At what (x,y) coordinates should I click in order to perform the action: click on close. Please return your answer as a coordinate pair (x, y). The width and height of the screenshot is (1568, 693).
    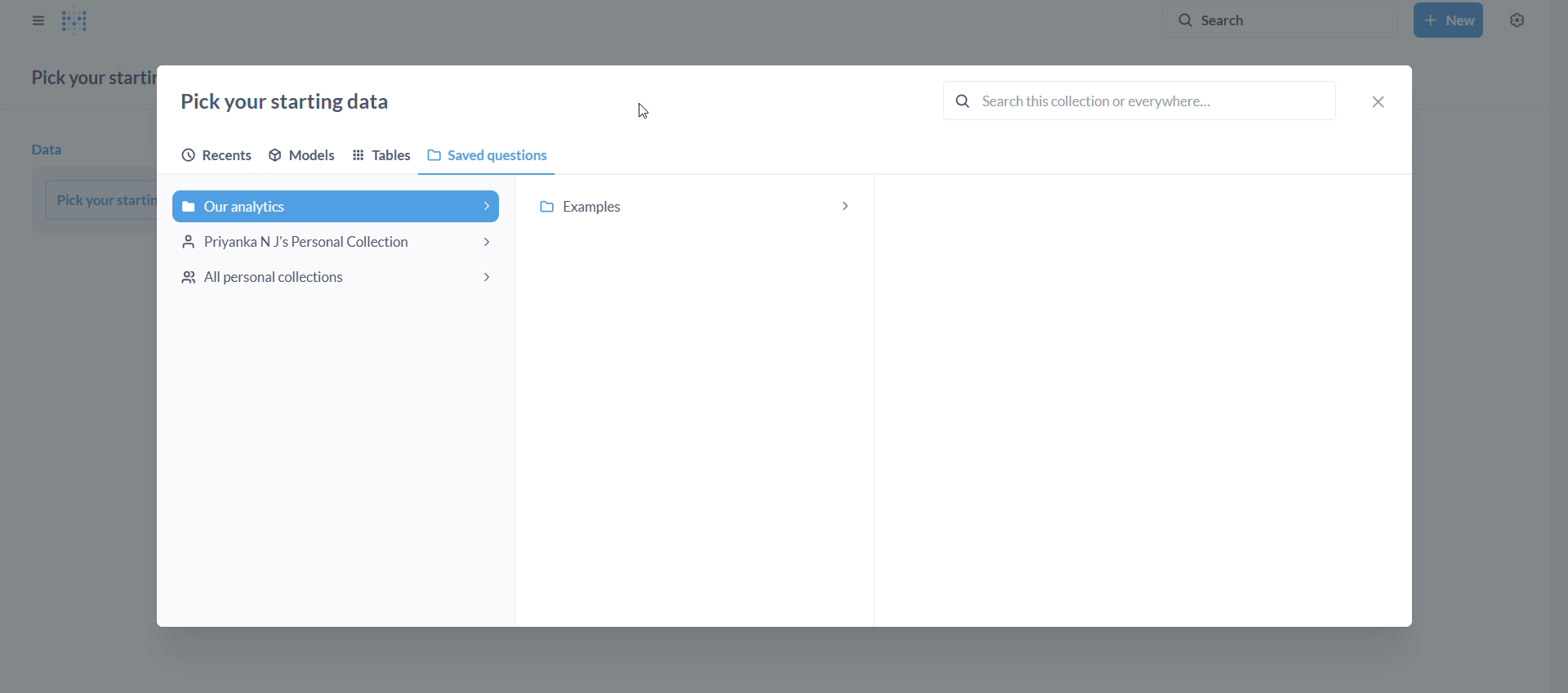
    Looking at the image, I should click on (1379, 103).